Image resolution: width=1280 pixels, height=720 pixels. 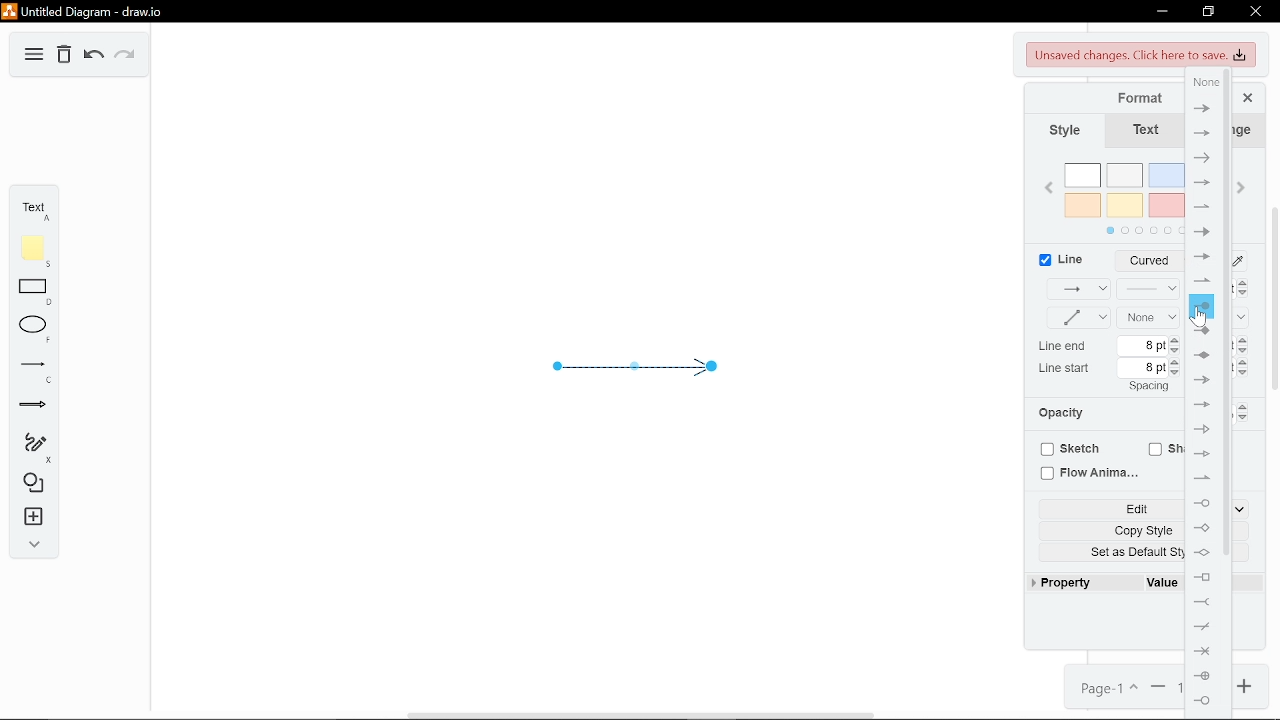 What do you see at coordinates (1207, 323) in the screenshot?
I see `Pointer` at bounding box center [1207, 323].